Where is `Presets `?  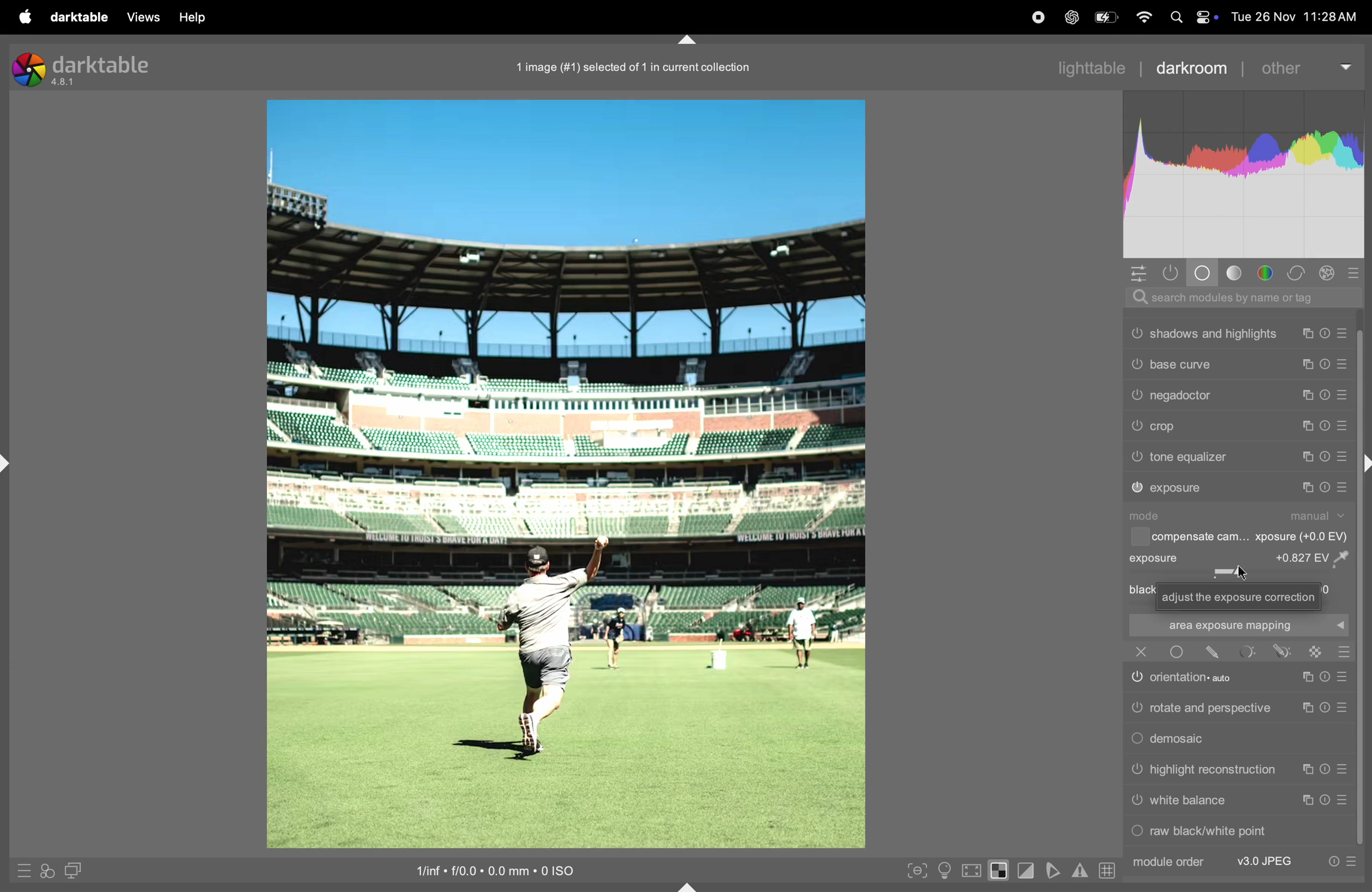
Presets  is located at coordinates (1344, 427).